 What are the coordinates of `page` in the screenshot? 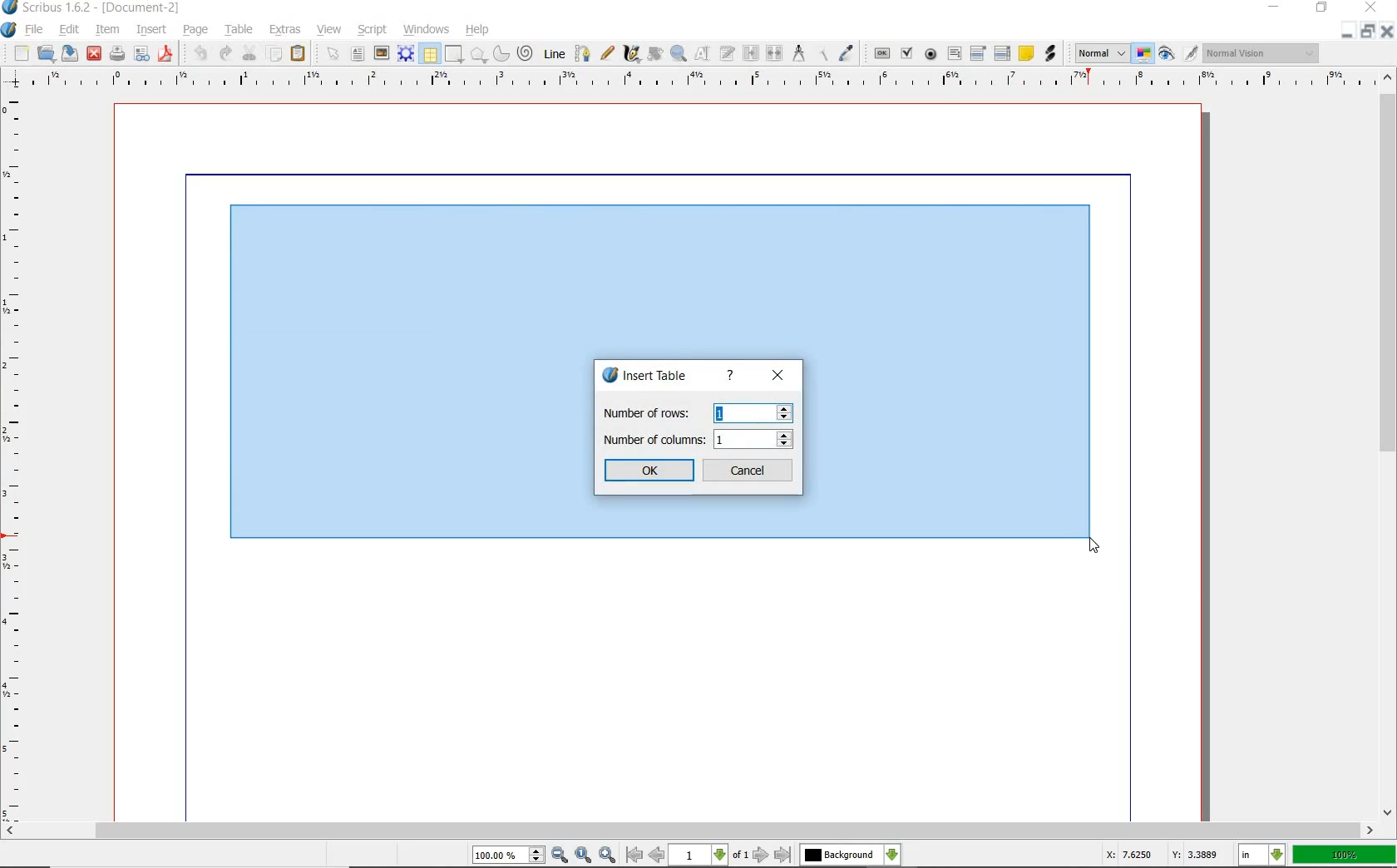 It's located at (198, 32).